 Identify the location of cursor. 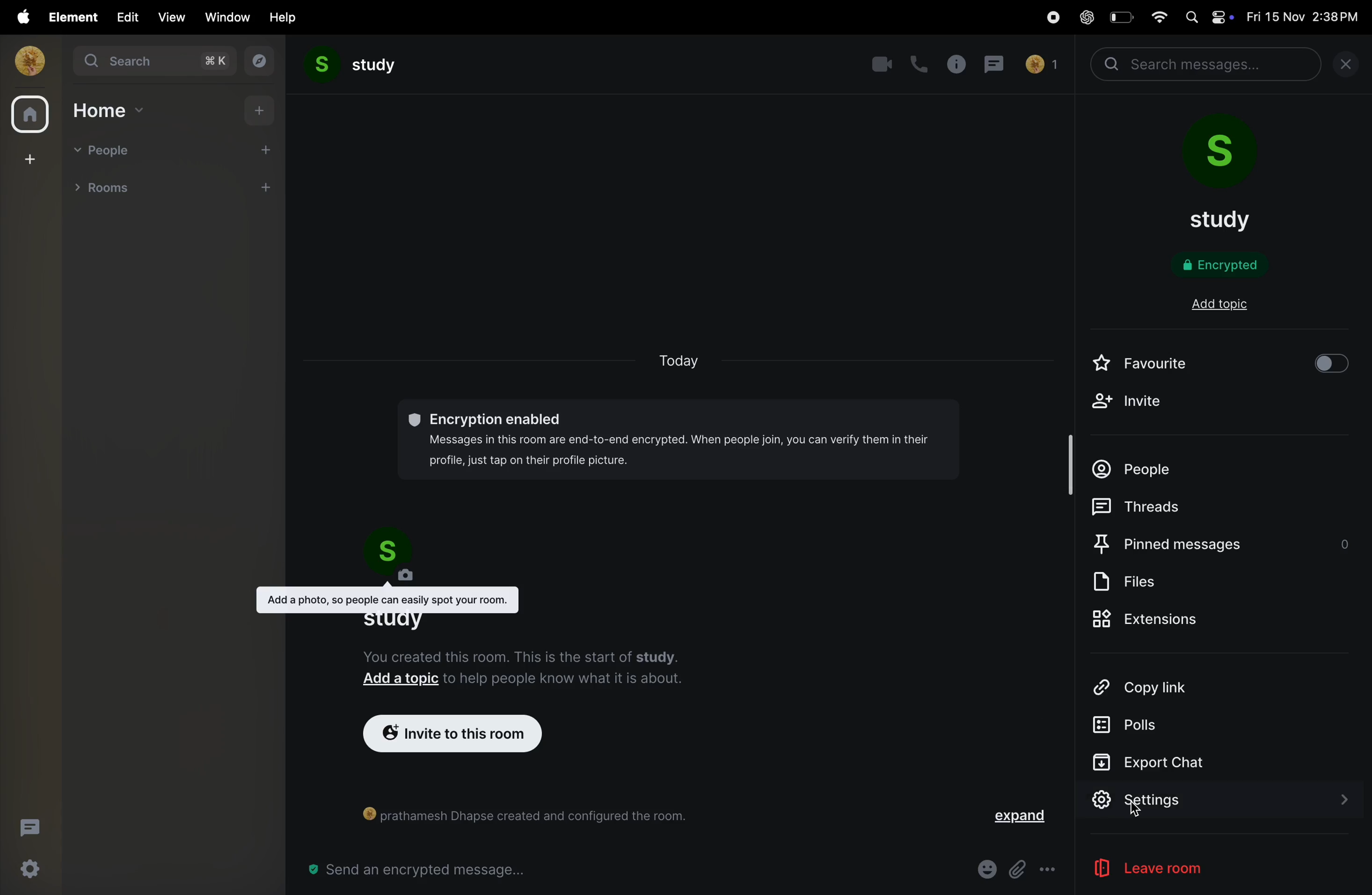
(1139, 813).